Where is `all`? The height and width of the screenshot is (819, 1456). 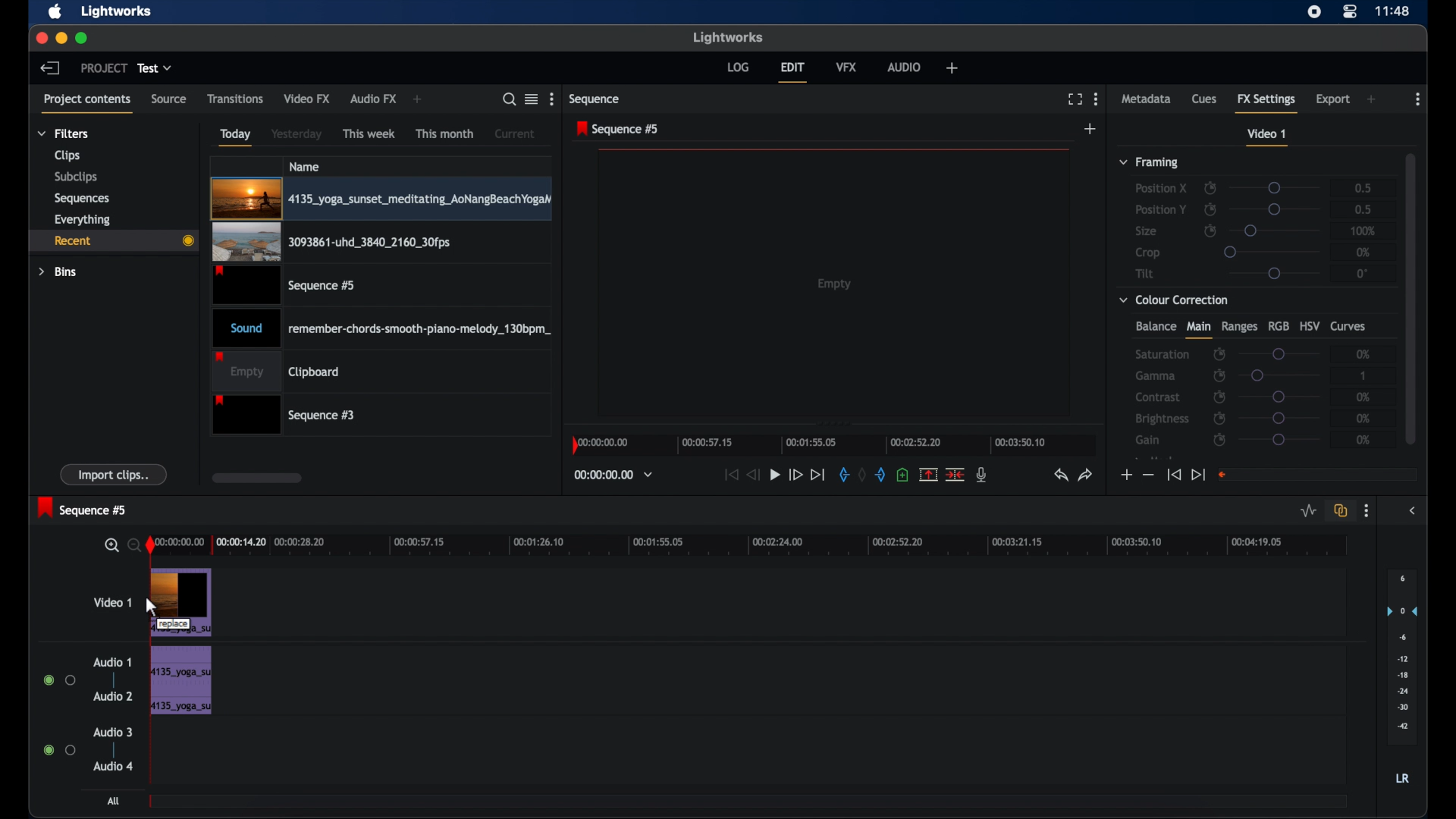
all is located at coordinates (114, 801).